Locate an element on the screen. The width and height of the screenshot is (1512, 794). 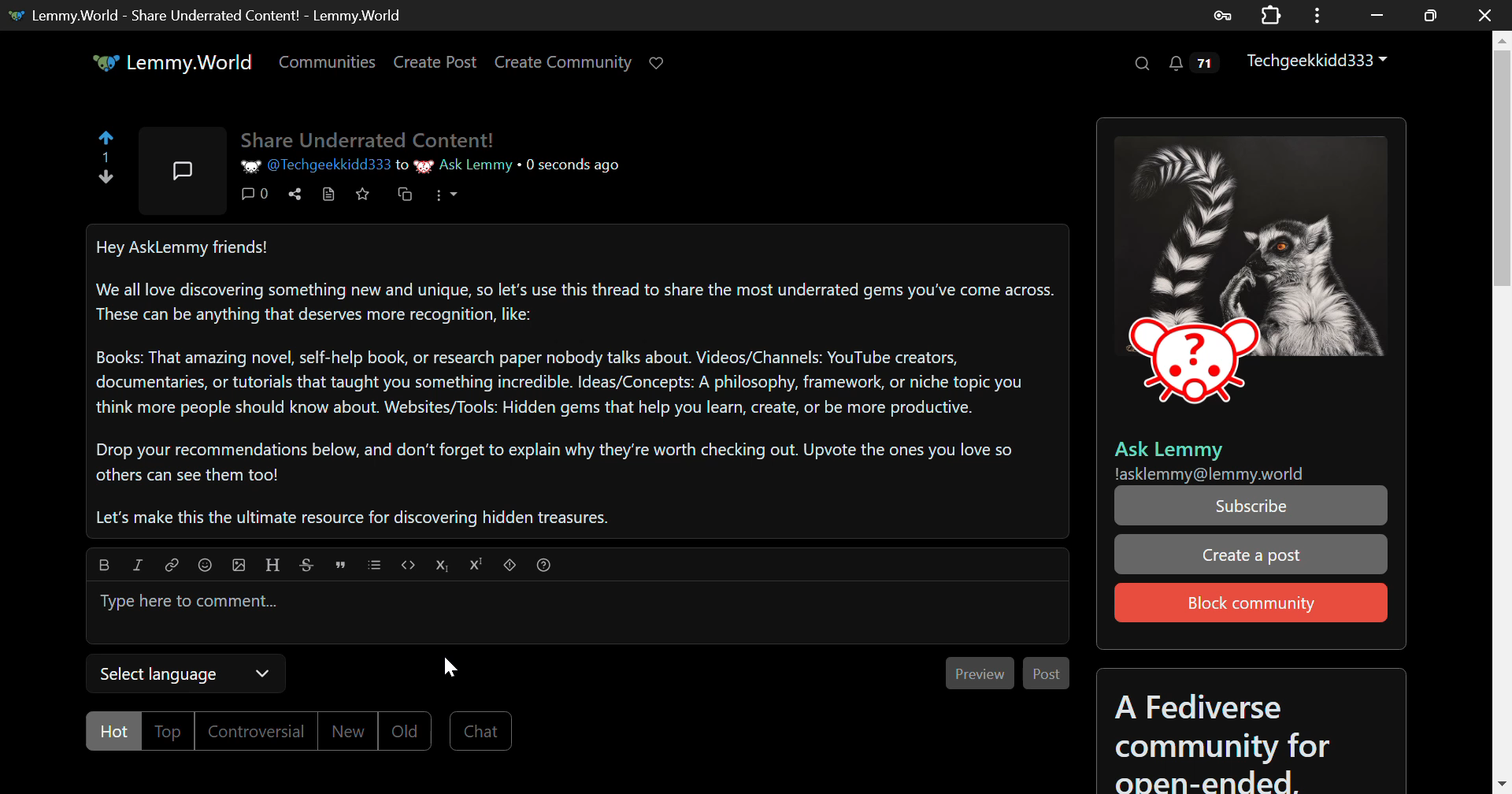
Comment Counter is located at coordinates (254, 199).